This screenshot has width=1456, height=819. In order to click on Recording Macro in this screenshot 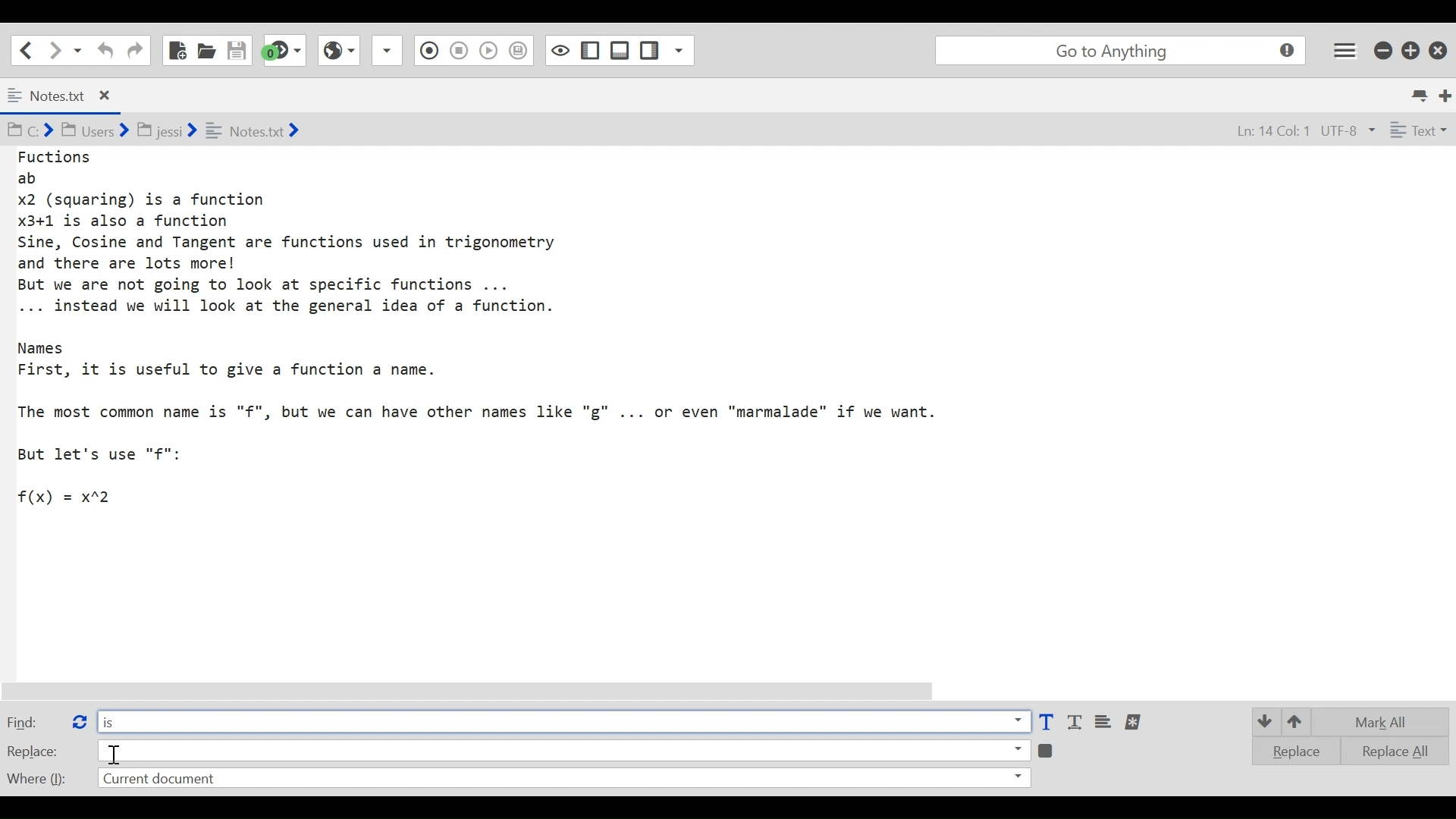, I will do `click(388, 50)`.